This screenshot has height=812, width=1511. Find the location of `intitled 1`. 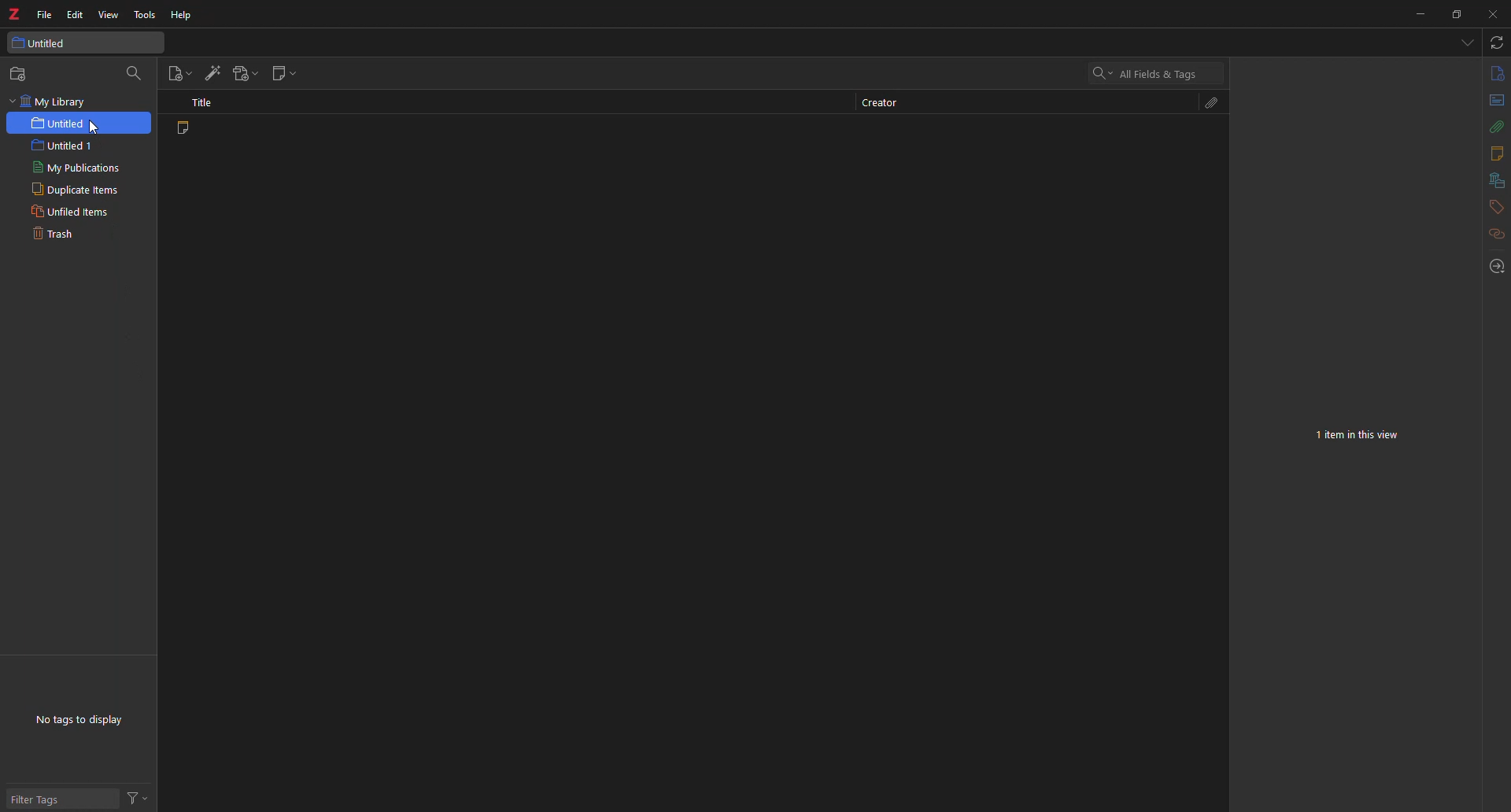

intitled 1 is located at coordinates (67, 146).